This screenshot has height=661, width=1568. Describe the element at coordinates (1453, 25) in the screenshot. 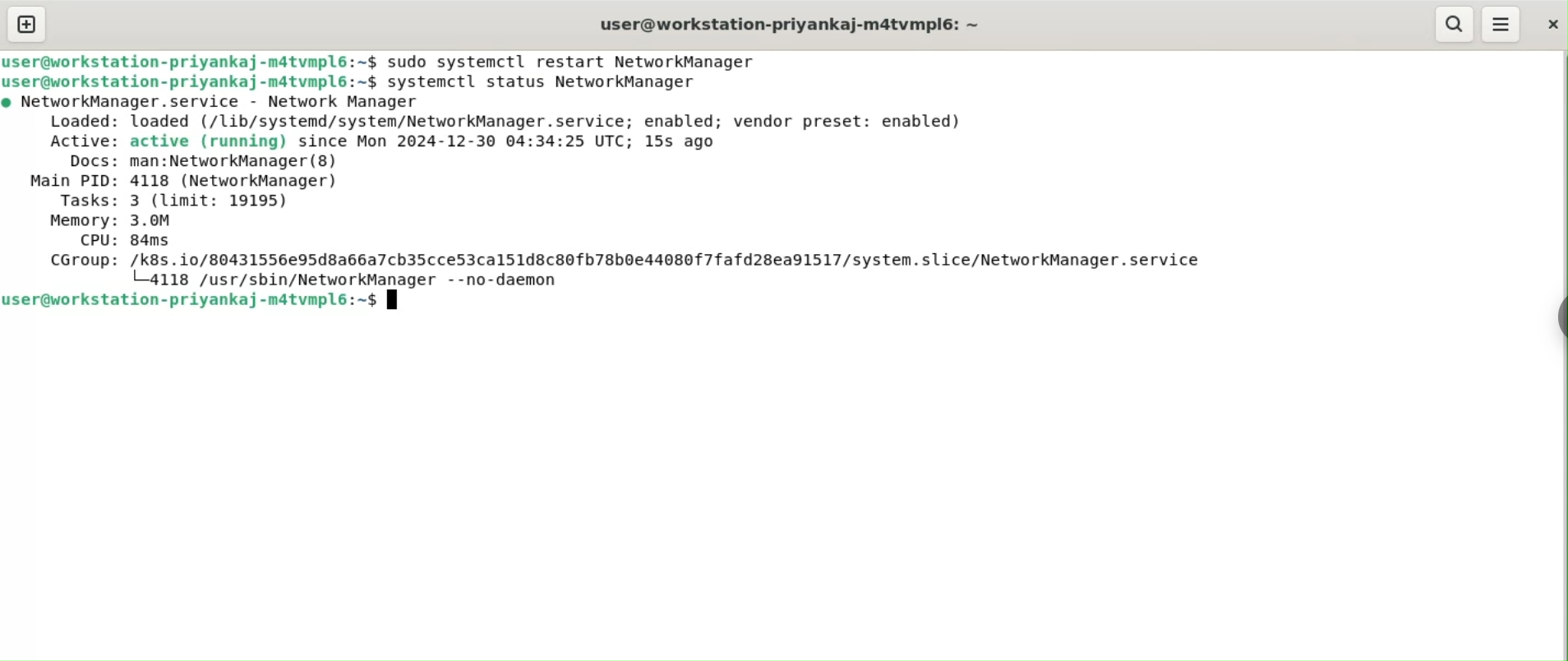

I see `search` at that location.